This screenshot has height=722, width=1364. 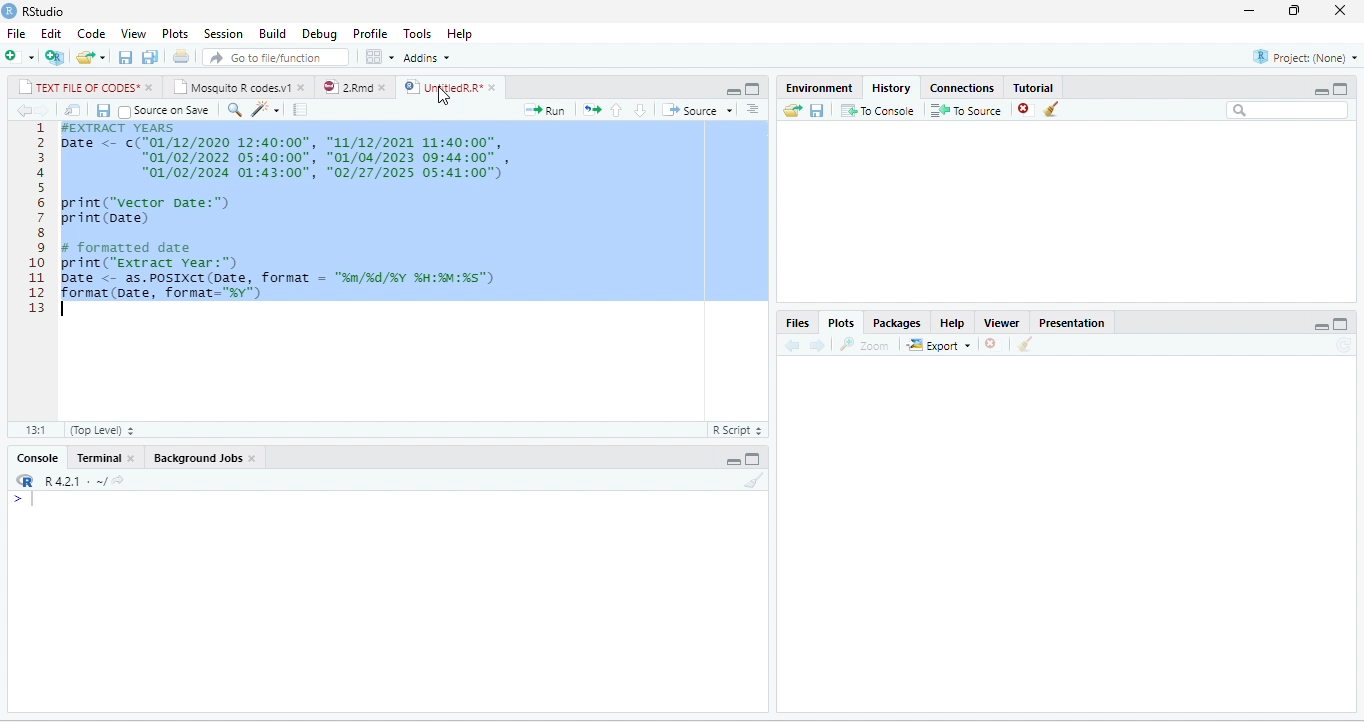 I want to click on forward, so click(x=817, y=345).